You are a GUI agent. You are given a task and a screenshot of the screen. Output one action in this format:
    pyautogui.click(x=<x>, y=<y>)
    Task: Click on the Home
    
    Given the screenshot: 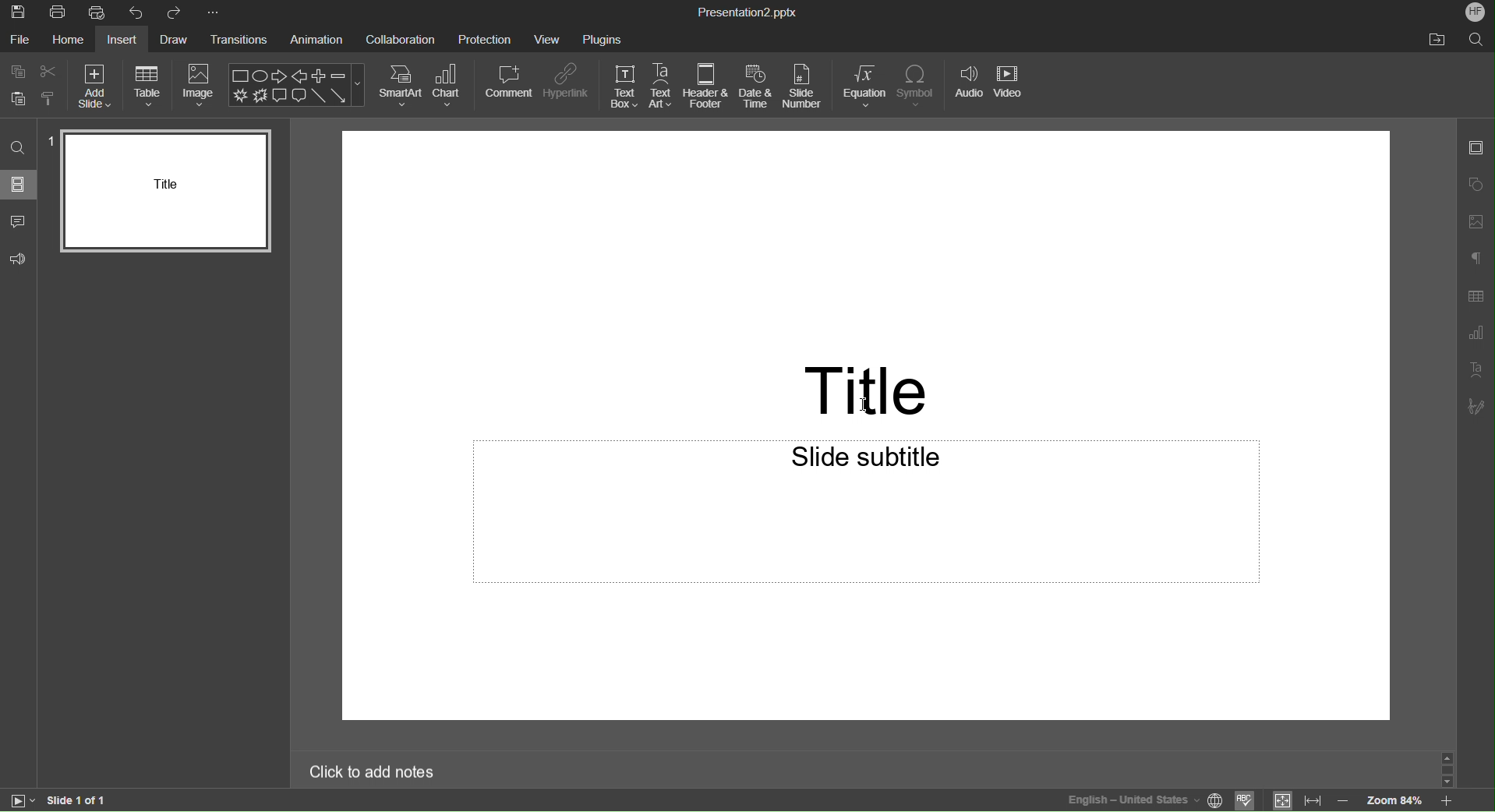 What is the action you would take?
    pyautogui.click(x=68, y=41)
    